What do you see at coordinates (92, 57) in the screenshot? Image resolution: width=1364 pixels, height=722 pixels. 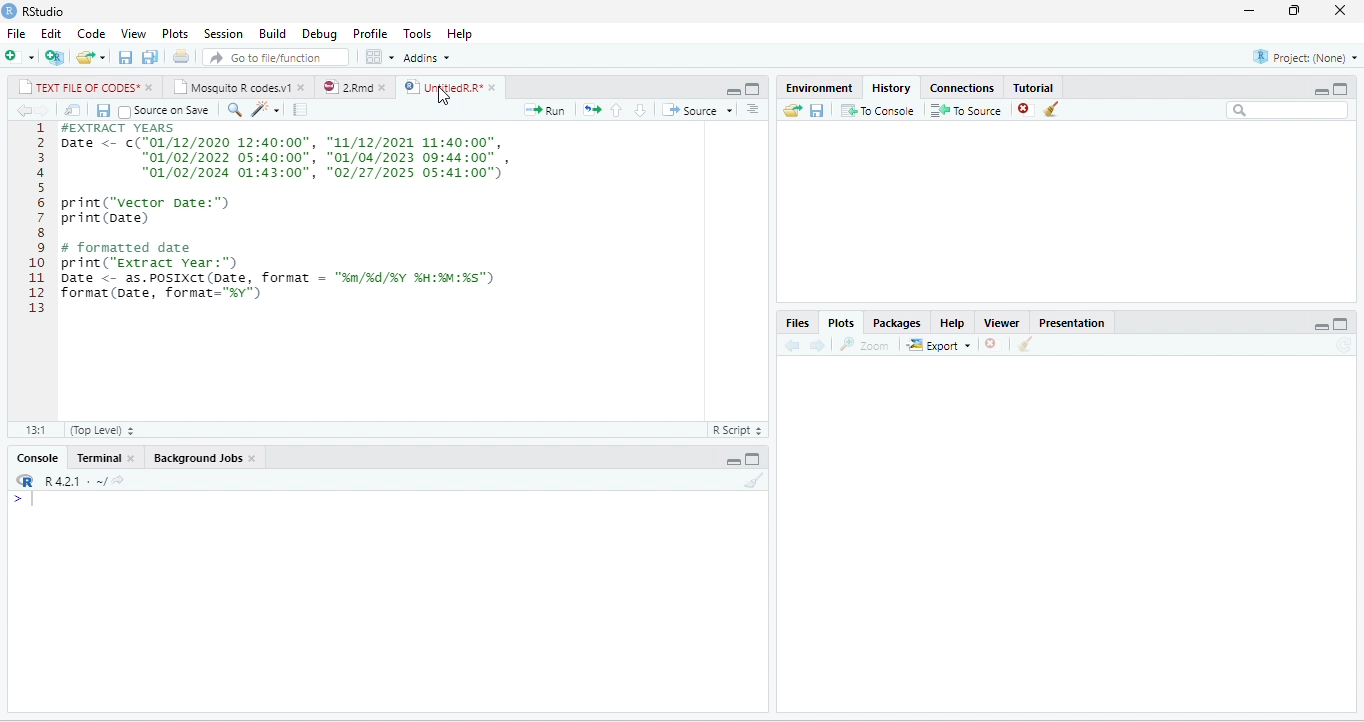 I see `open file` at bounding box center [92, 57].